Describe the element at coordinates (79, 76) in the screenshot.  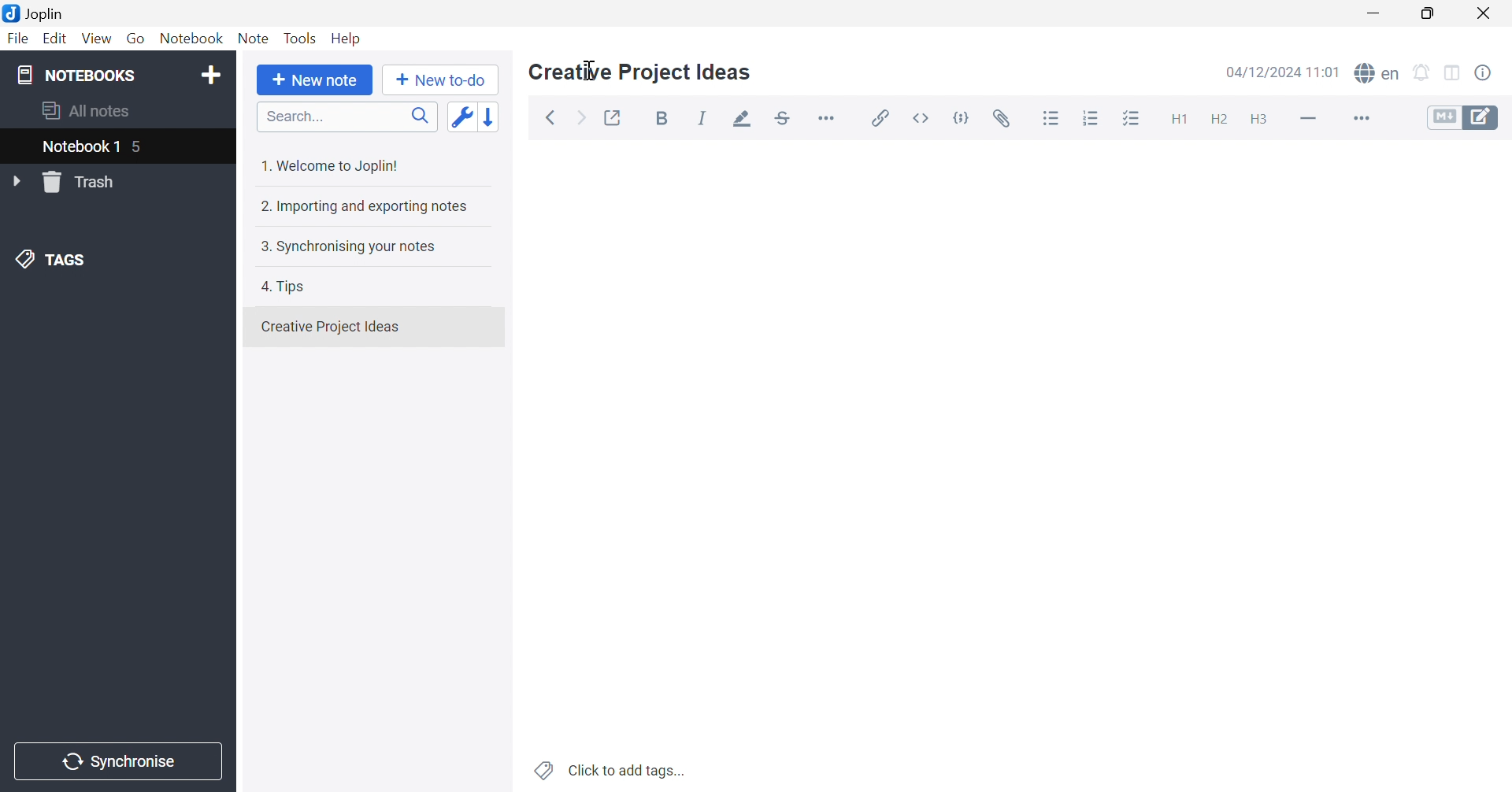
I see `NOTEBOOKS` at that location.